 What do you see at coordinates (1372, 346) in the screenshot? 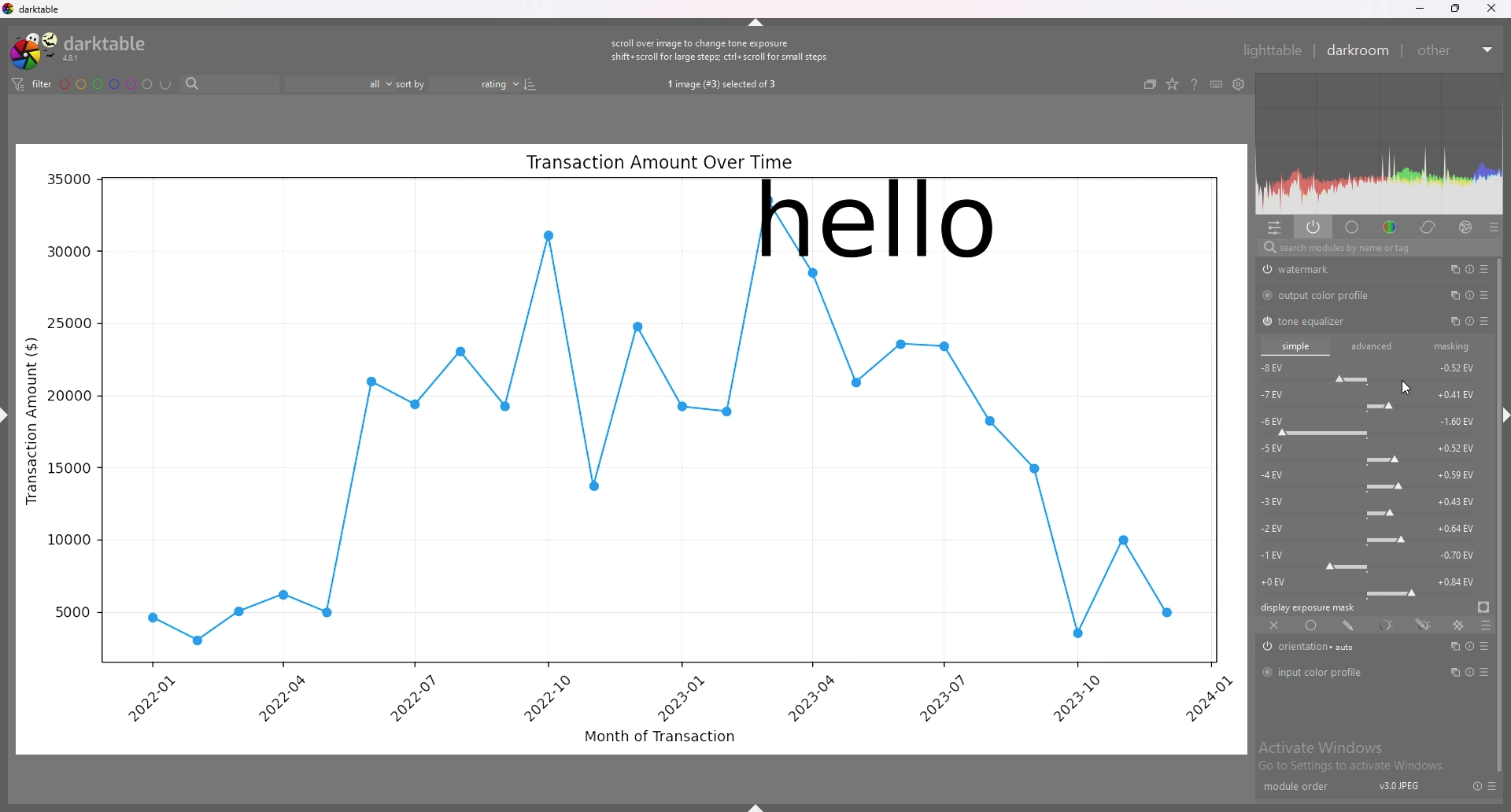
I see `advanced` at bounding box center [1372, 346].